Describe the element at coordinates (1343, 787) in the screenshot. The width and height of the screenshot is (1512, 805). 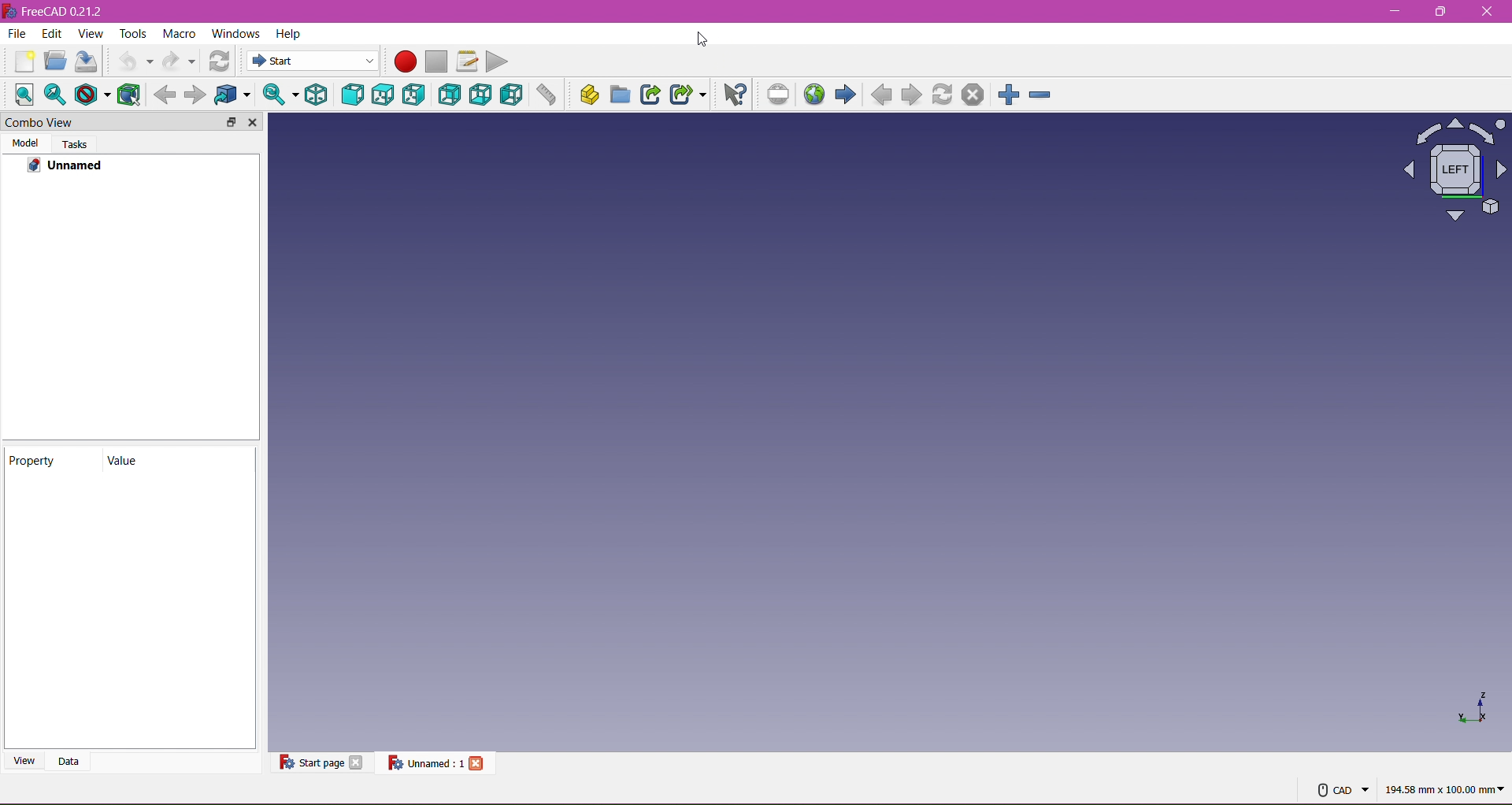
I see `CAD Mouse` at that location.